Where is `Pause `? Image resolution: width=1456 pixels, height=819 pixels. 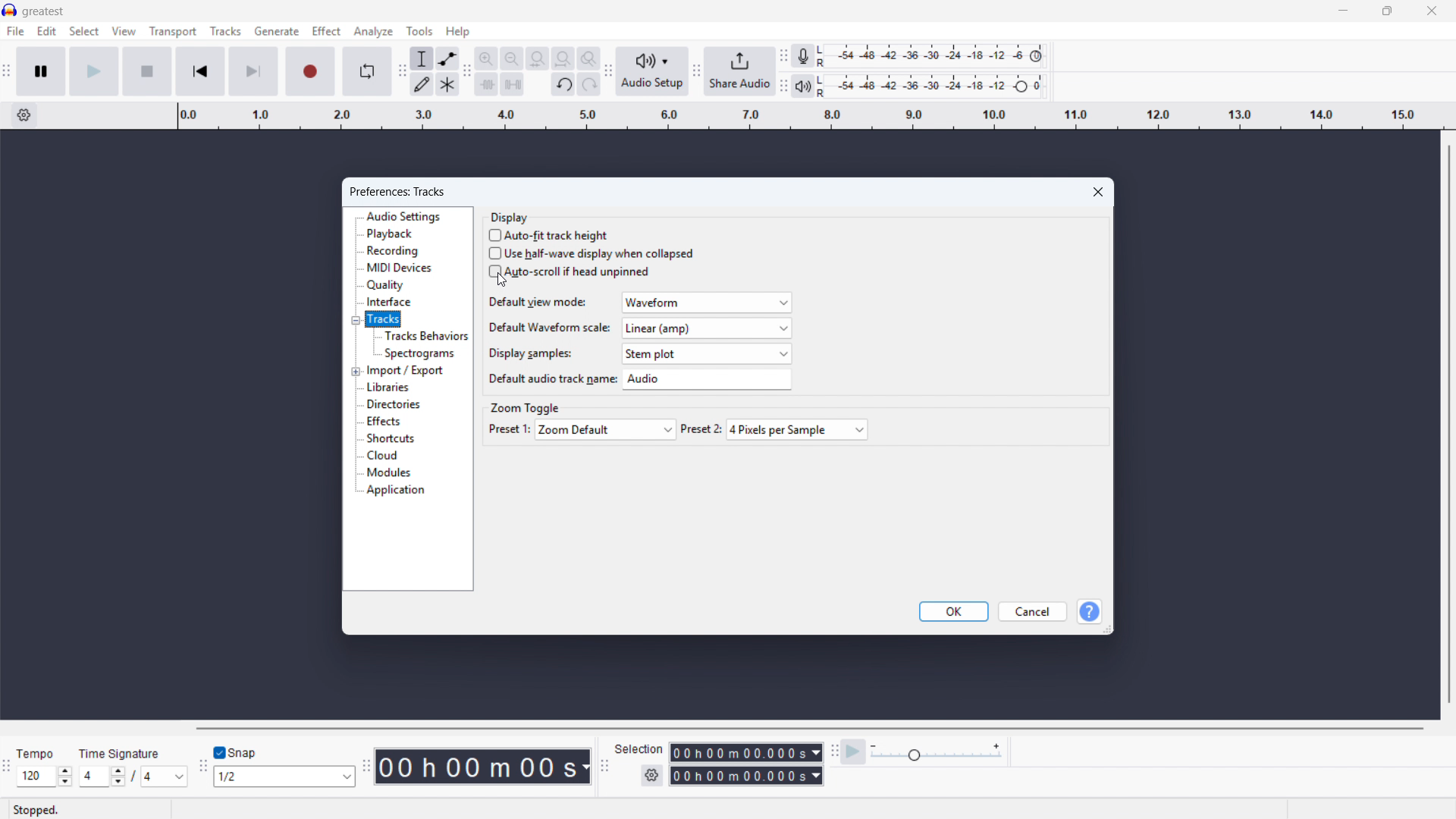 Pause  is located at coordinates (42, 71).